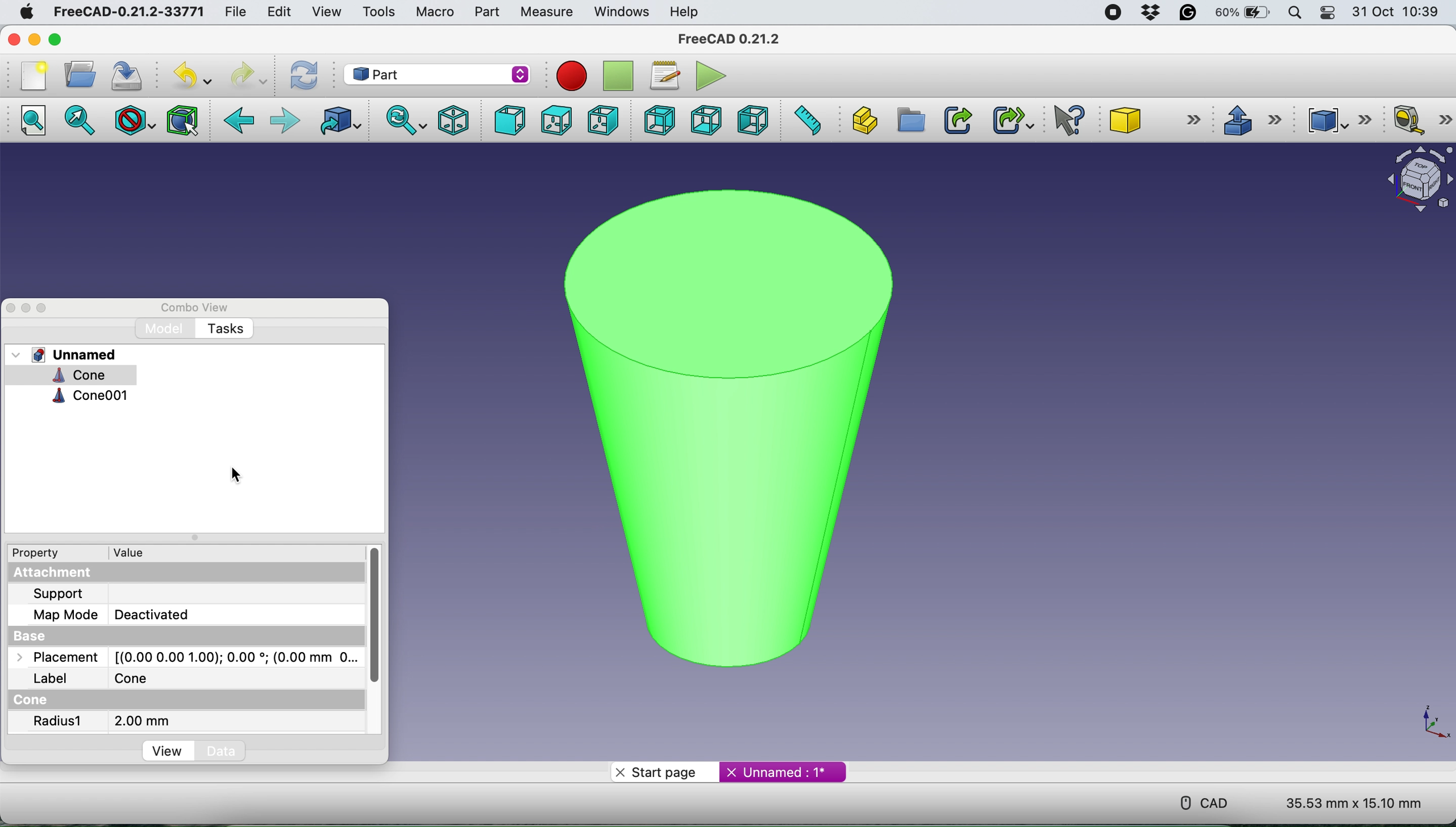 The image size is (1456, 827). What do you see at coordinates (618, 77) in the screenshot?
I see `step recording macros` at bounding box center [618, 77].